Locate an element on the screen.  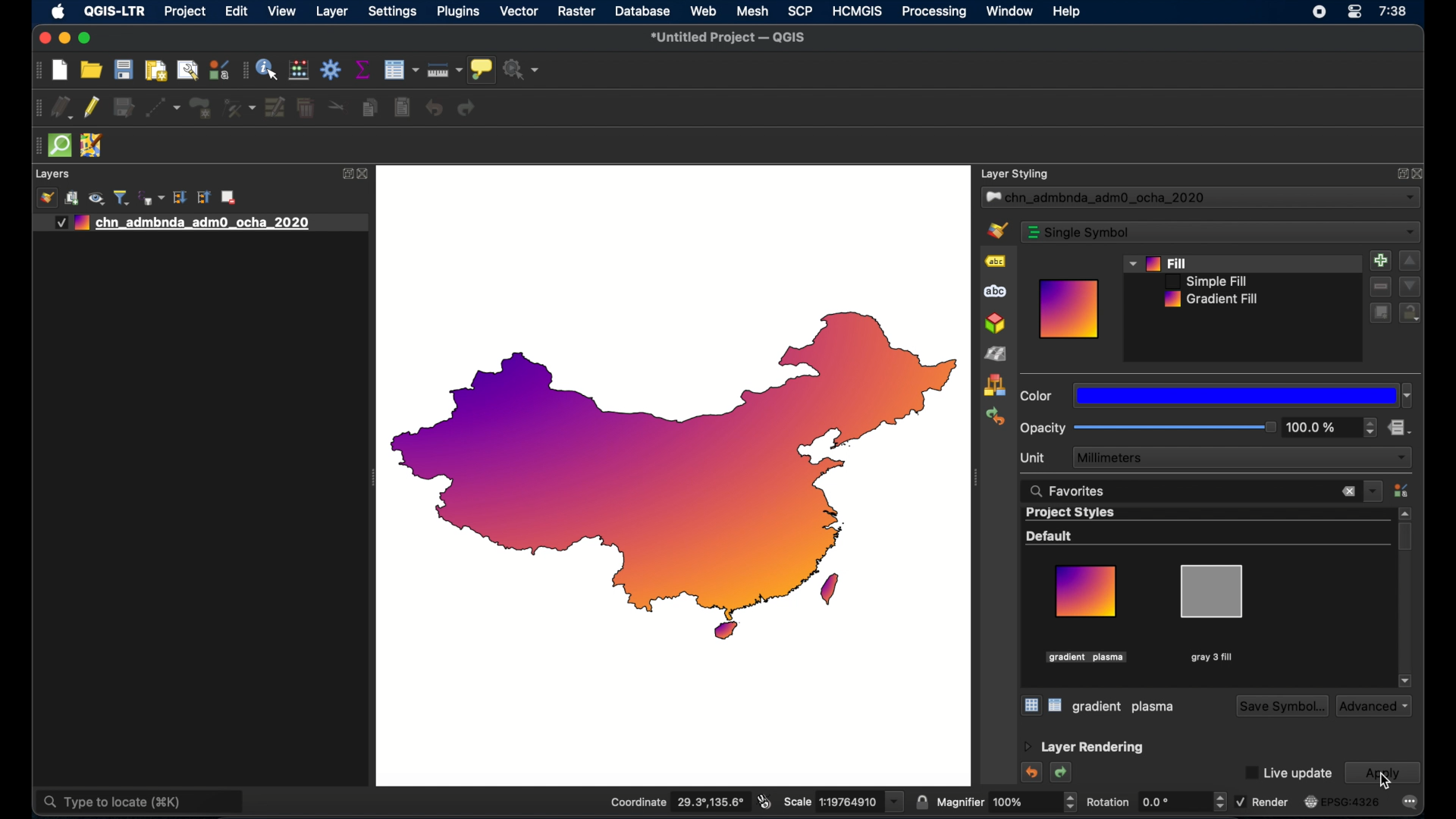
preview is located at coordinates (1069, 309).